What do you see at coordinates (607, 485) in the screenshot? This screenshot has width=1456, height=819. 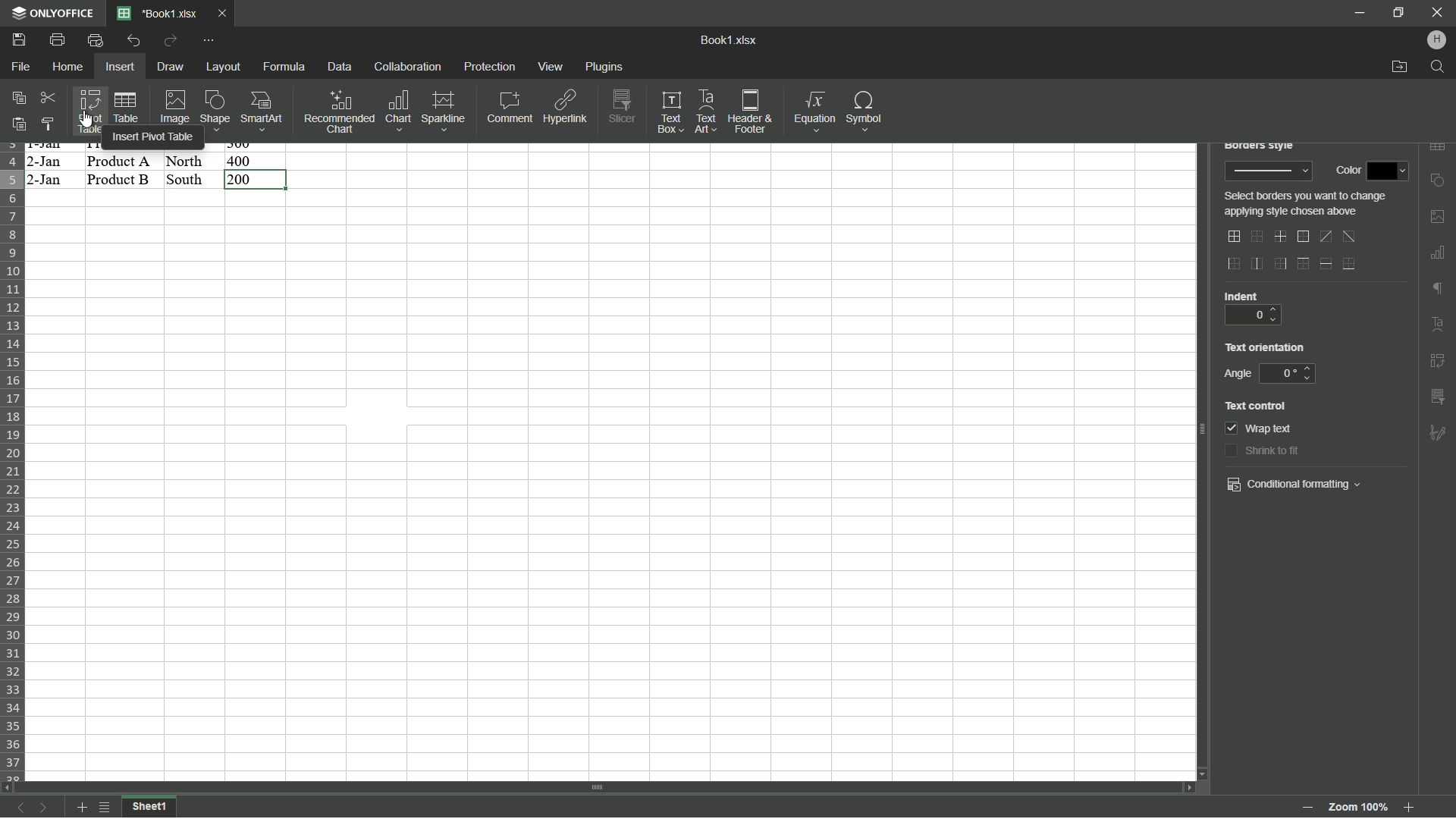 I see `cells` at bounding box center [607, 485].